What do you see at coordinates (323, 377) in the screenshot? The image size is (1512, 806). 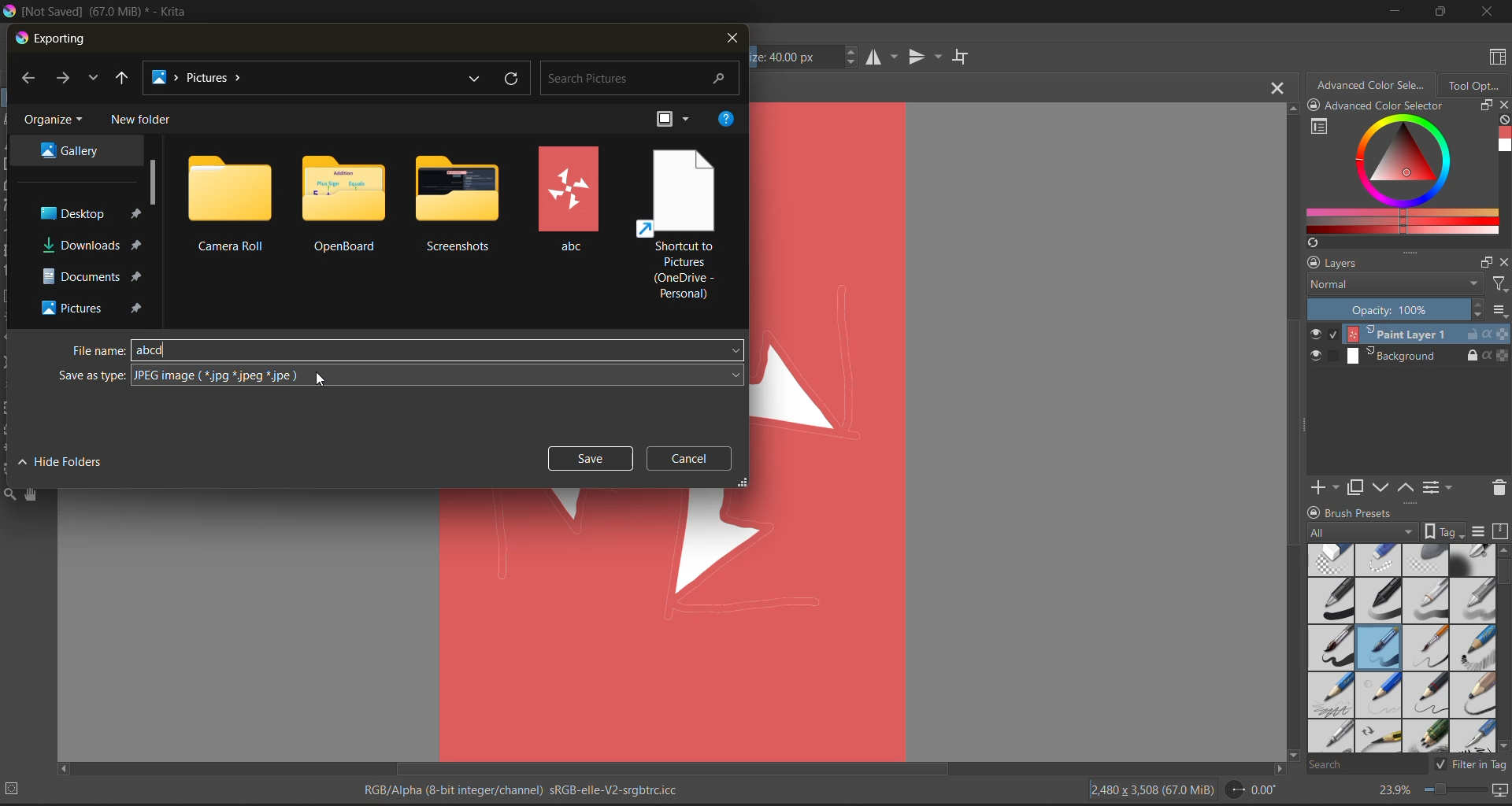 I see `Cursor` at bounding box center [323, 377].